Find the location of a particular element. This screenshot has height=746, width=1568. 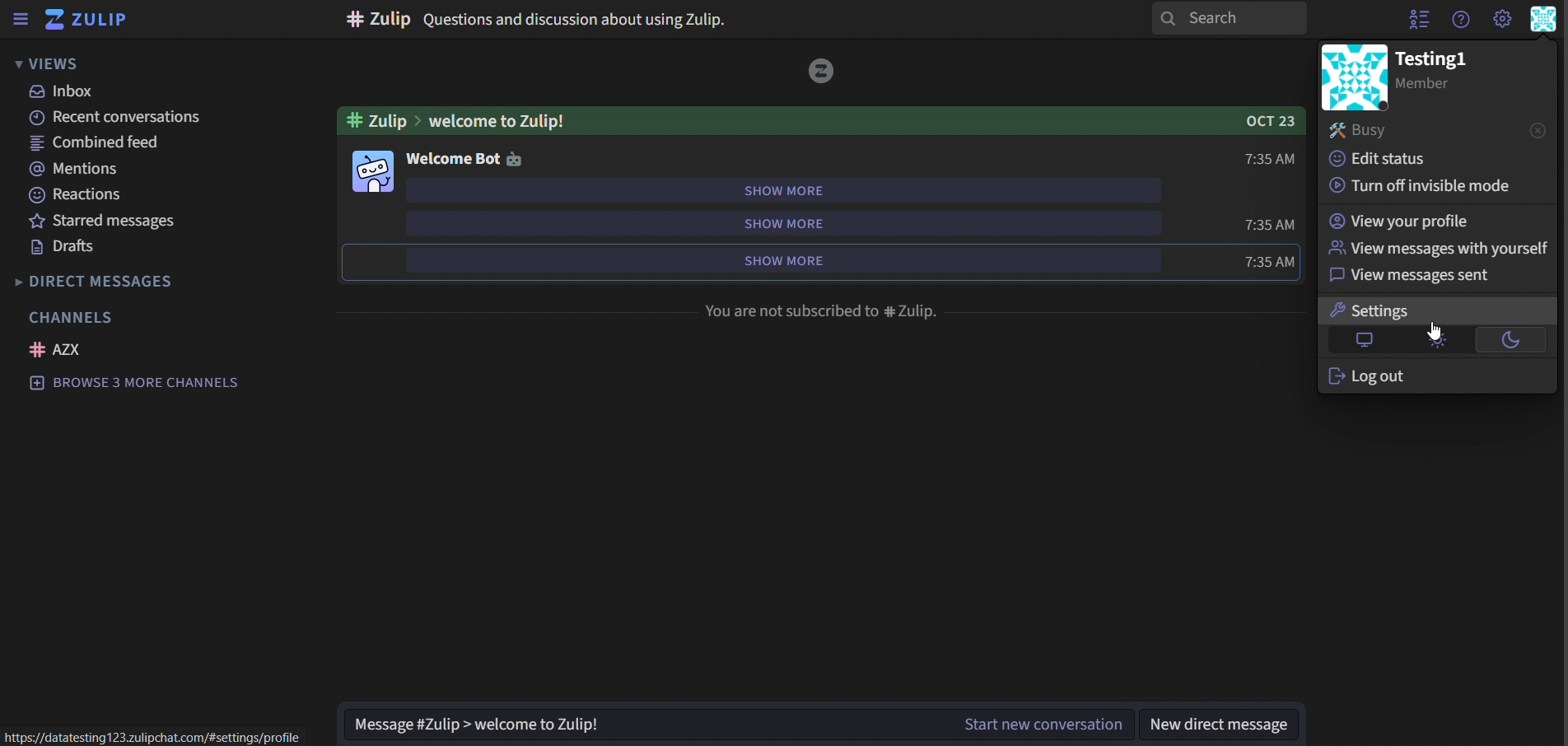

Browse 3 more channels is located at coordinates (140, 385).